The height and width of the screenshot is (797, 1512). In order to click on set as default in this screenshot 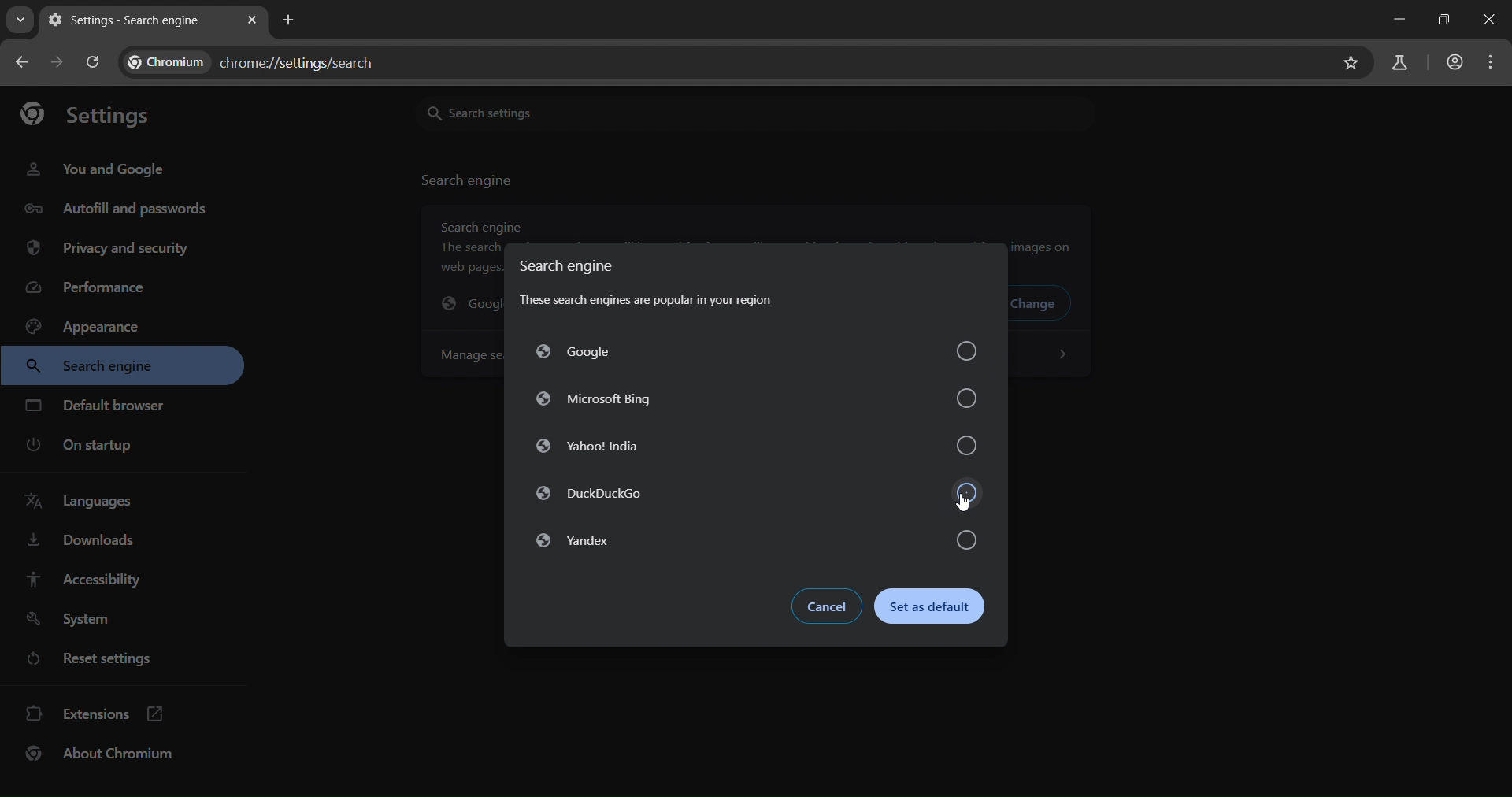, I will do `click(937, 608)`.